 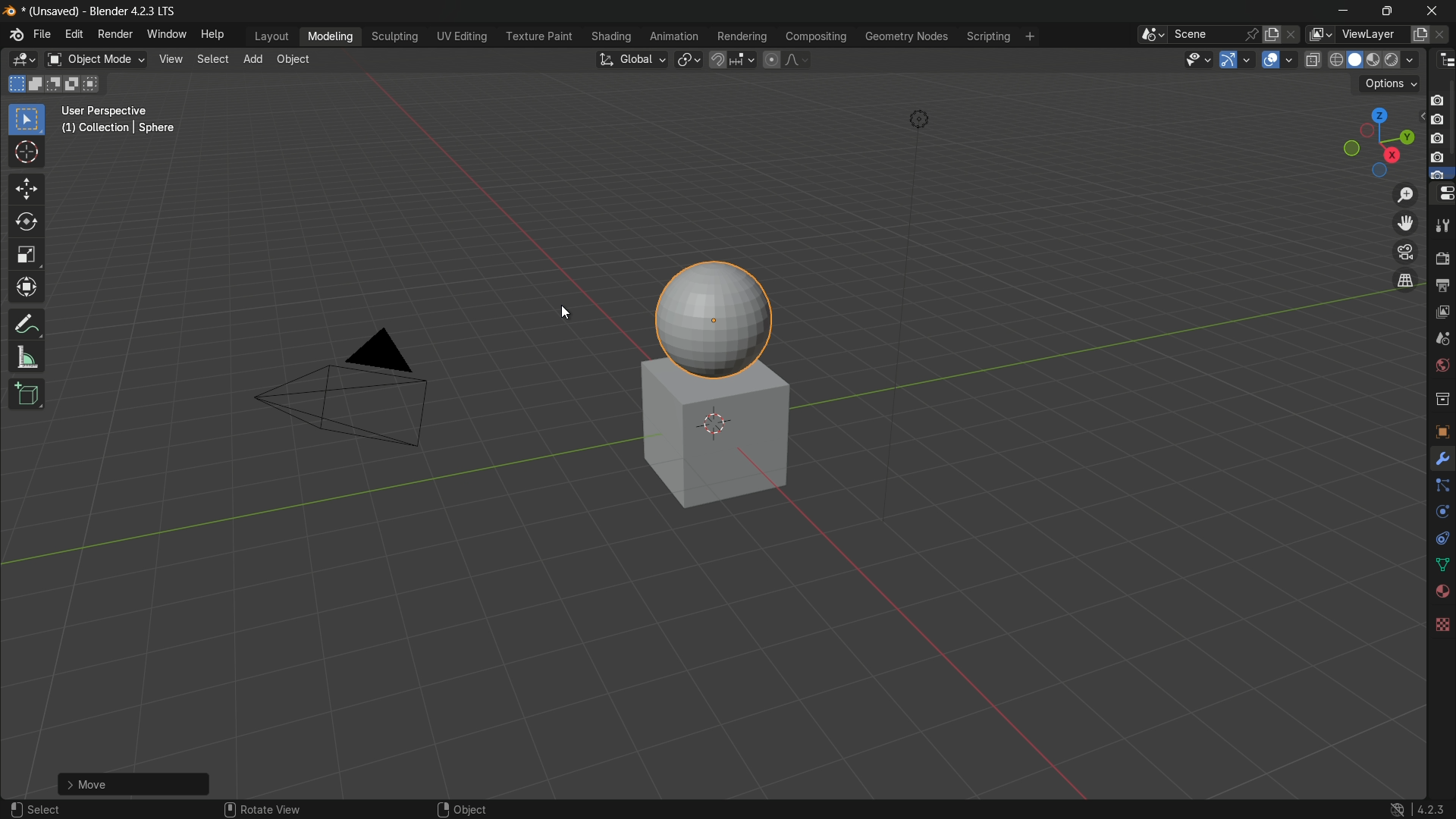 I want to click on toggle x ray, so click(x=1311, y=59).